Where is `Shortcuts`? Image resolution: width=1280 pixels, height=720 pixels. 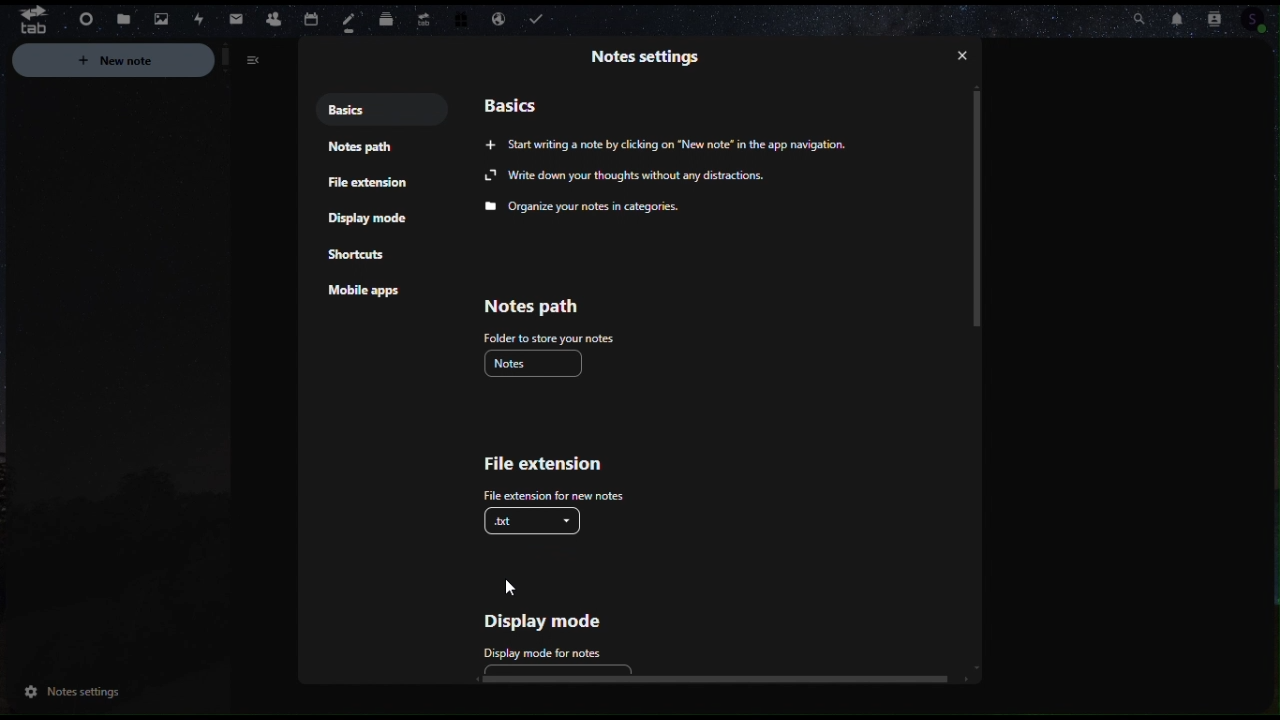
Shortcuts is located at coordinates (359, 257).